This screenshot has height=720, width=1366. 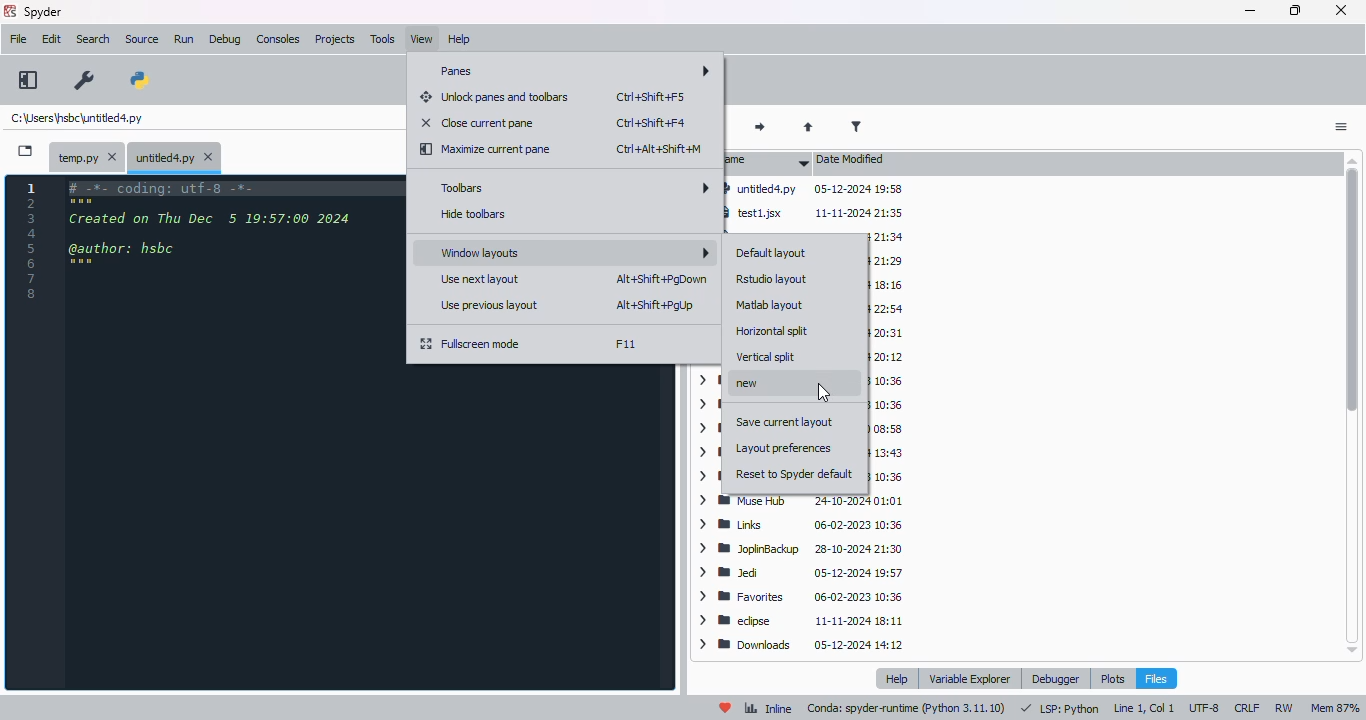 I want to click on PYTHONPATH MANAGER, so click(x=140, y=82).